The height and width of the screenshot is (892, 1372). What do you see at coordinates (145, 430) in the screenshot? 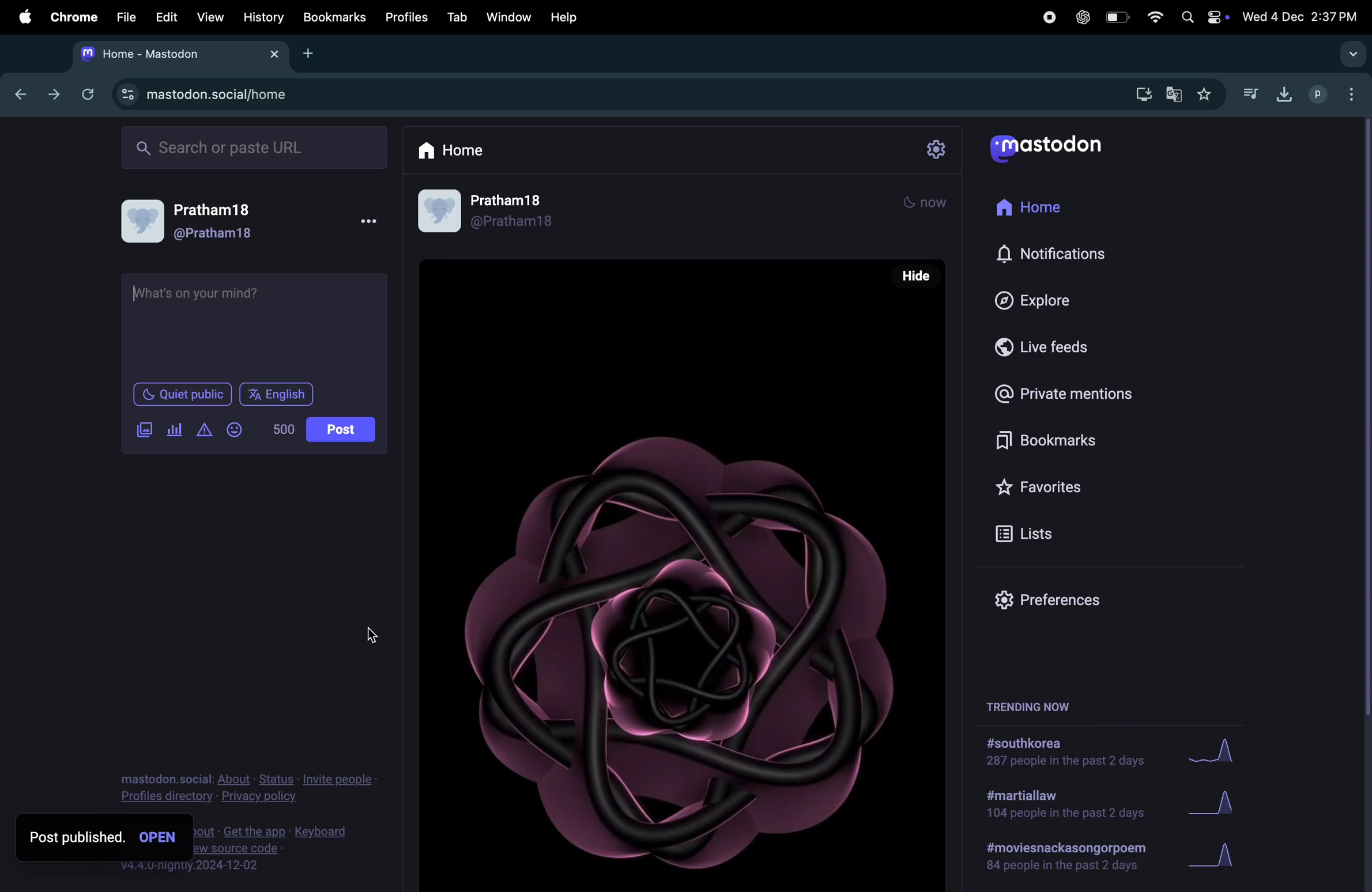
I see `image` at bounding box center [145, 430].